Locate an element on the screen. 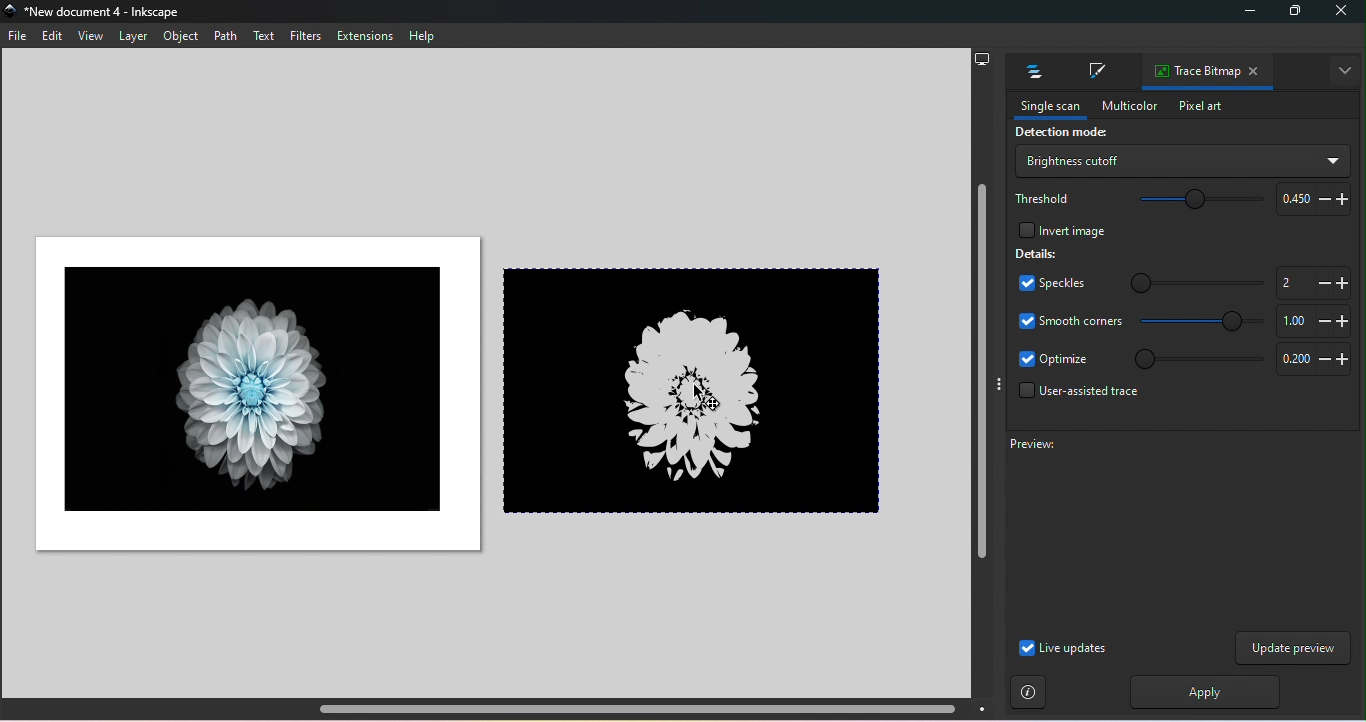 This screenshot has width=1366, height=722. Detection mode is located at coordinates (1058, 134).